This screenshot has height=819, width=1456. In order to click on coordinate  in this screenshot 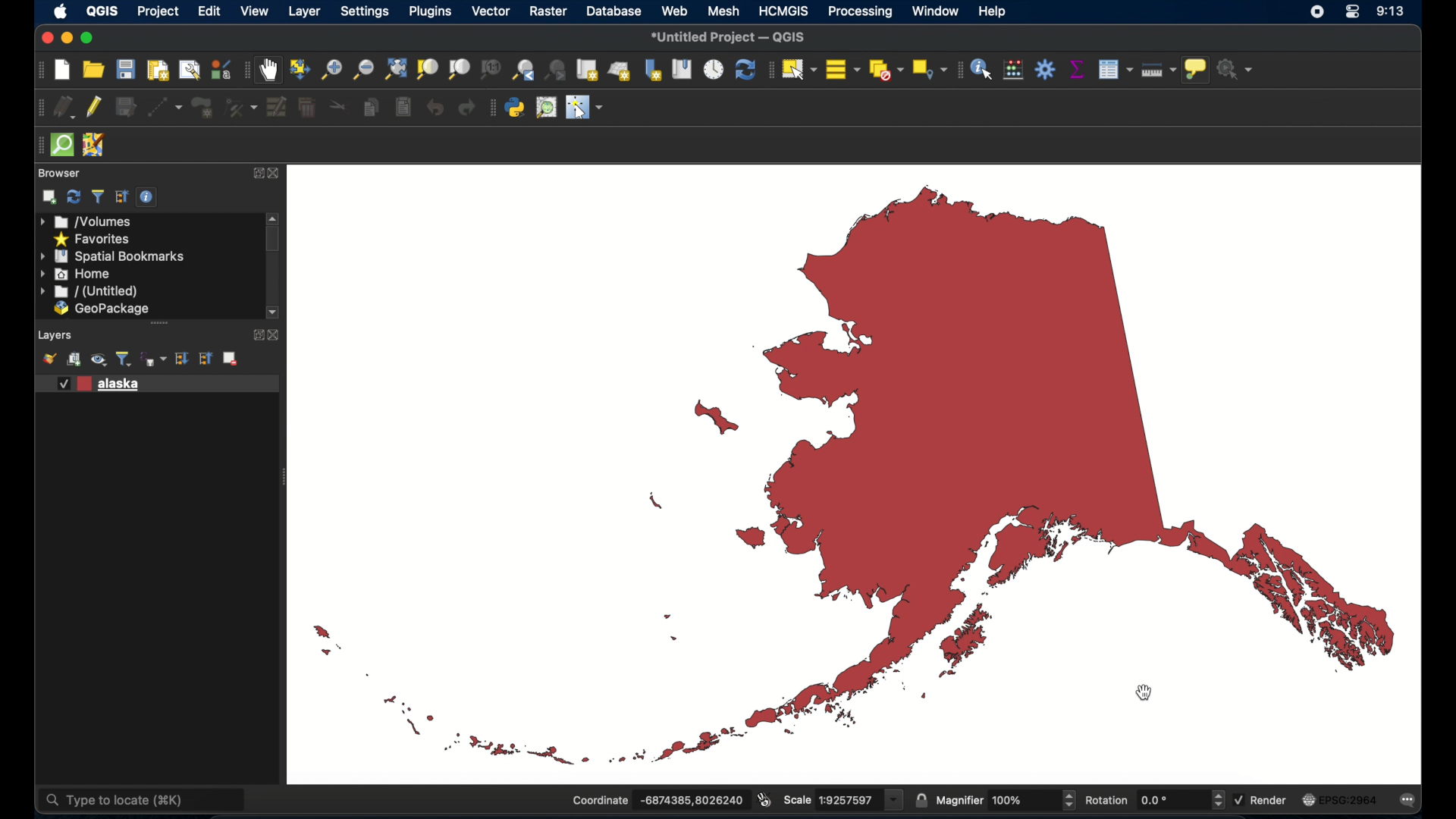, I will do `click(671, 796)`.